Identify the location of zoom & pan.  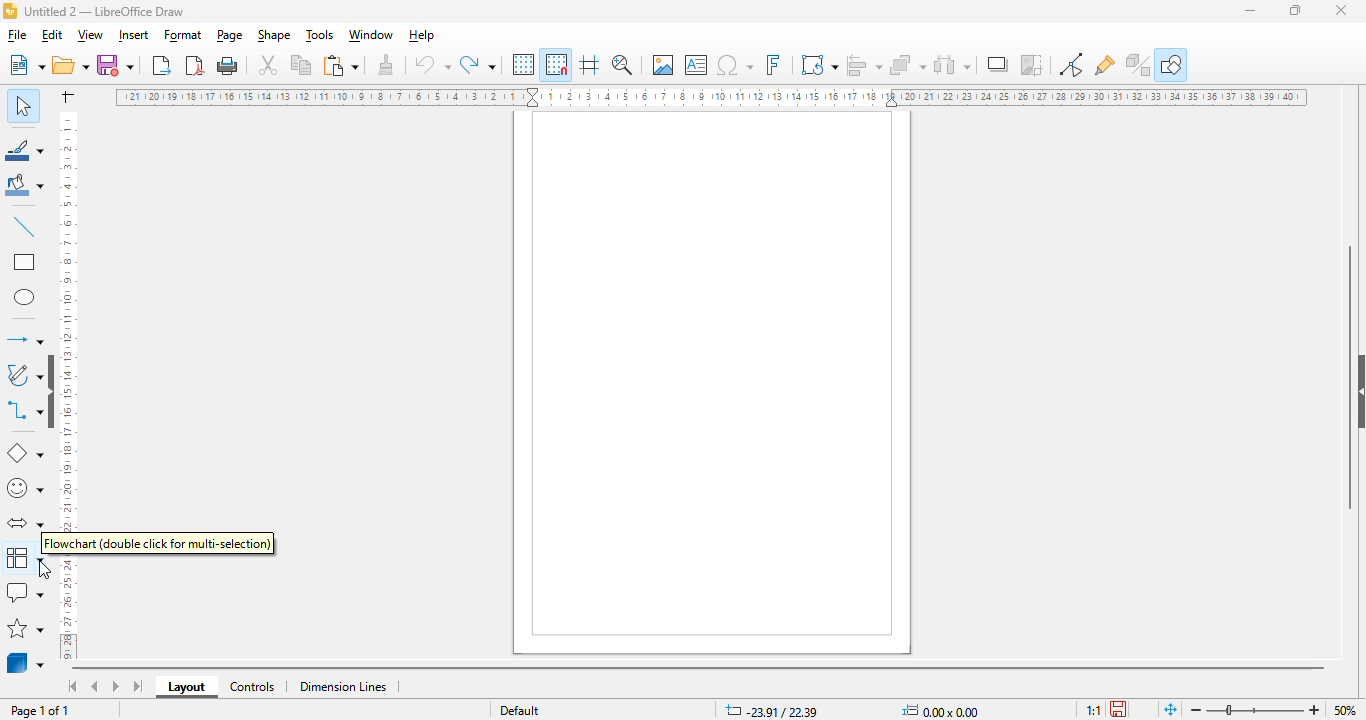
(623, 65).